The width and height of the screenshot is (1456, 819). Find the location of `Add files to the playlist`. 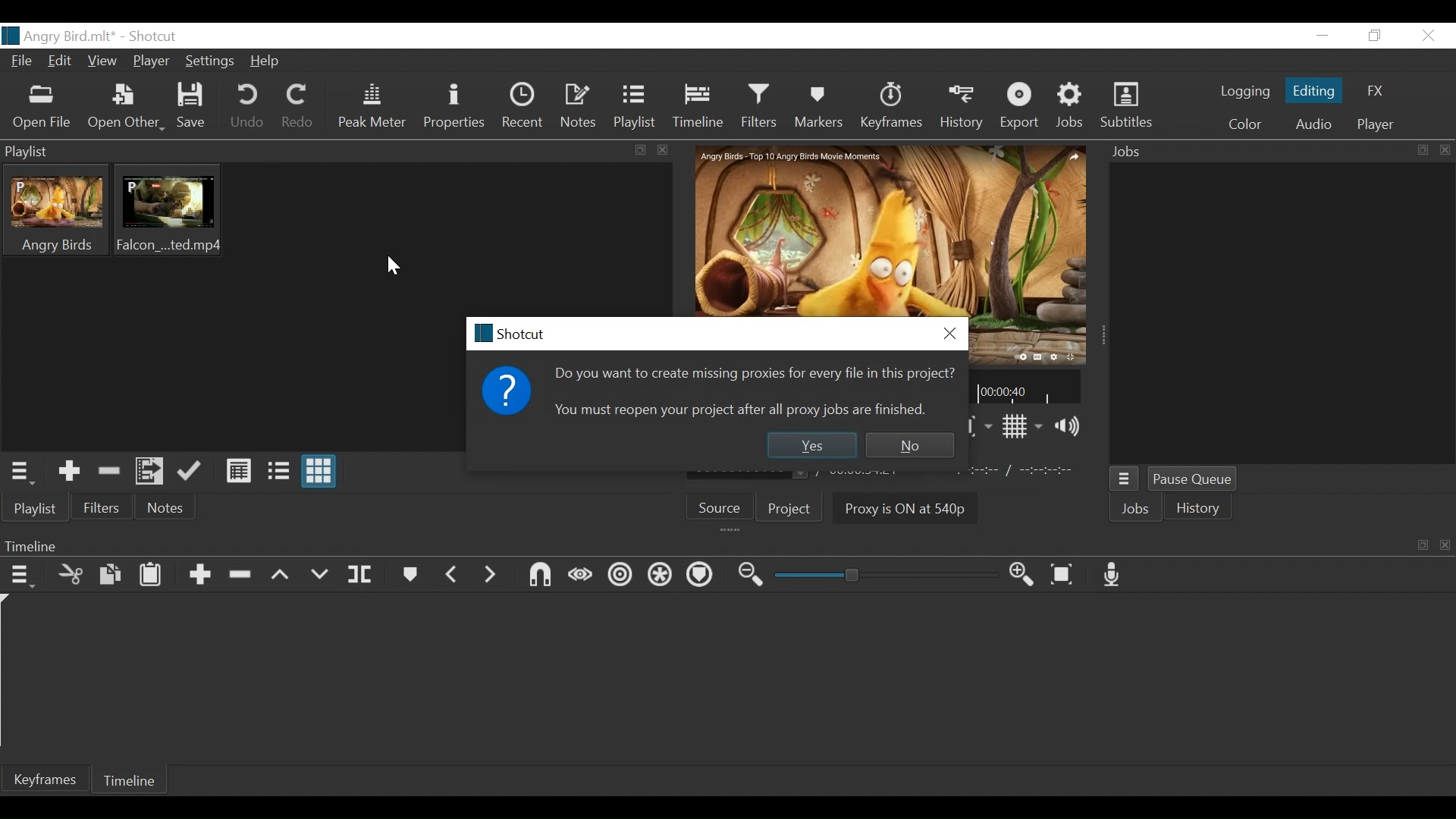

Add files to the playlist is located at coordinates (149, 471).